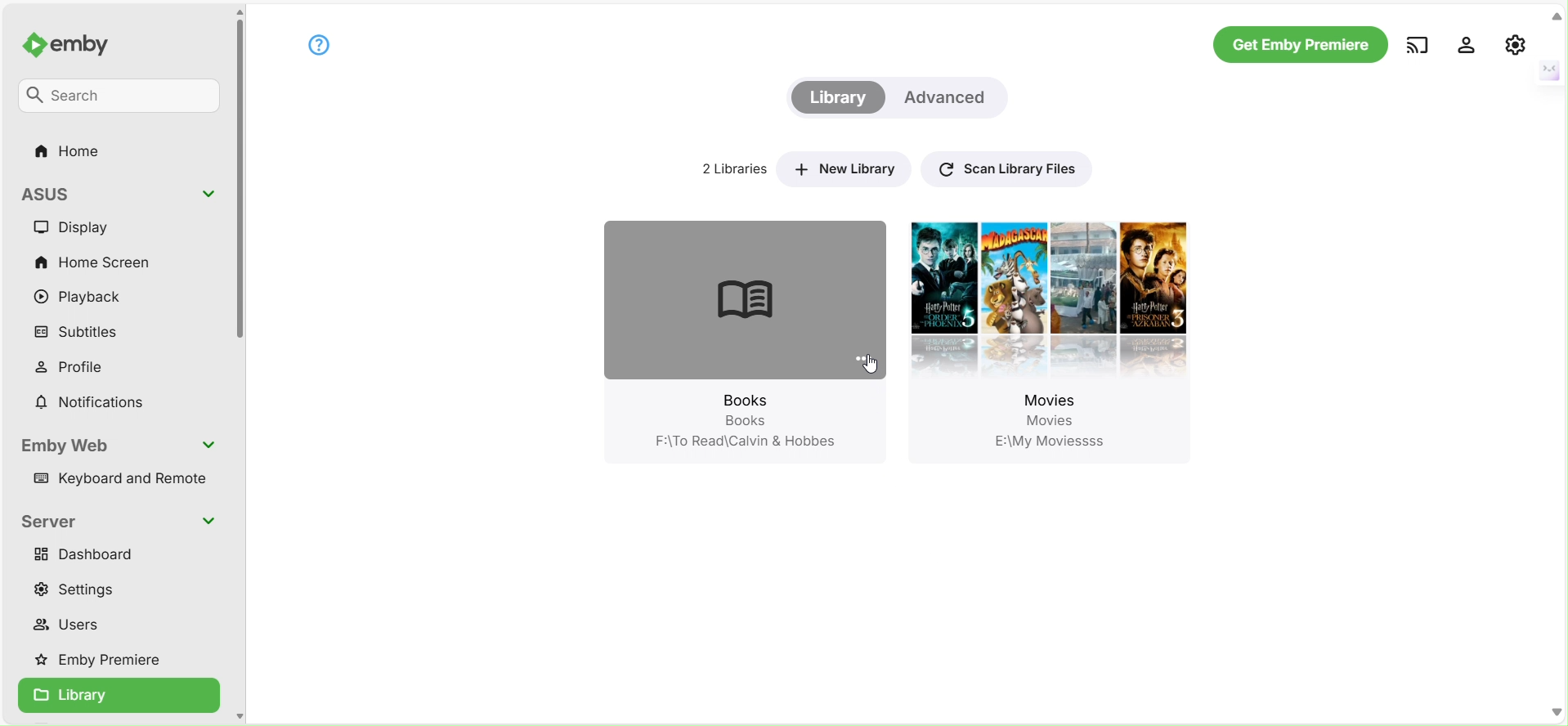 The height and width of the screenshot is (726, 1568). What do you see at coordinates (859, 358) in the screenshot?
I see `options` at bounding box center [859, 358].